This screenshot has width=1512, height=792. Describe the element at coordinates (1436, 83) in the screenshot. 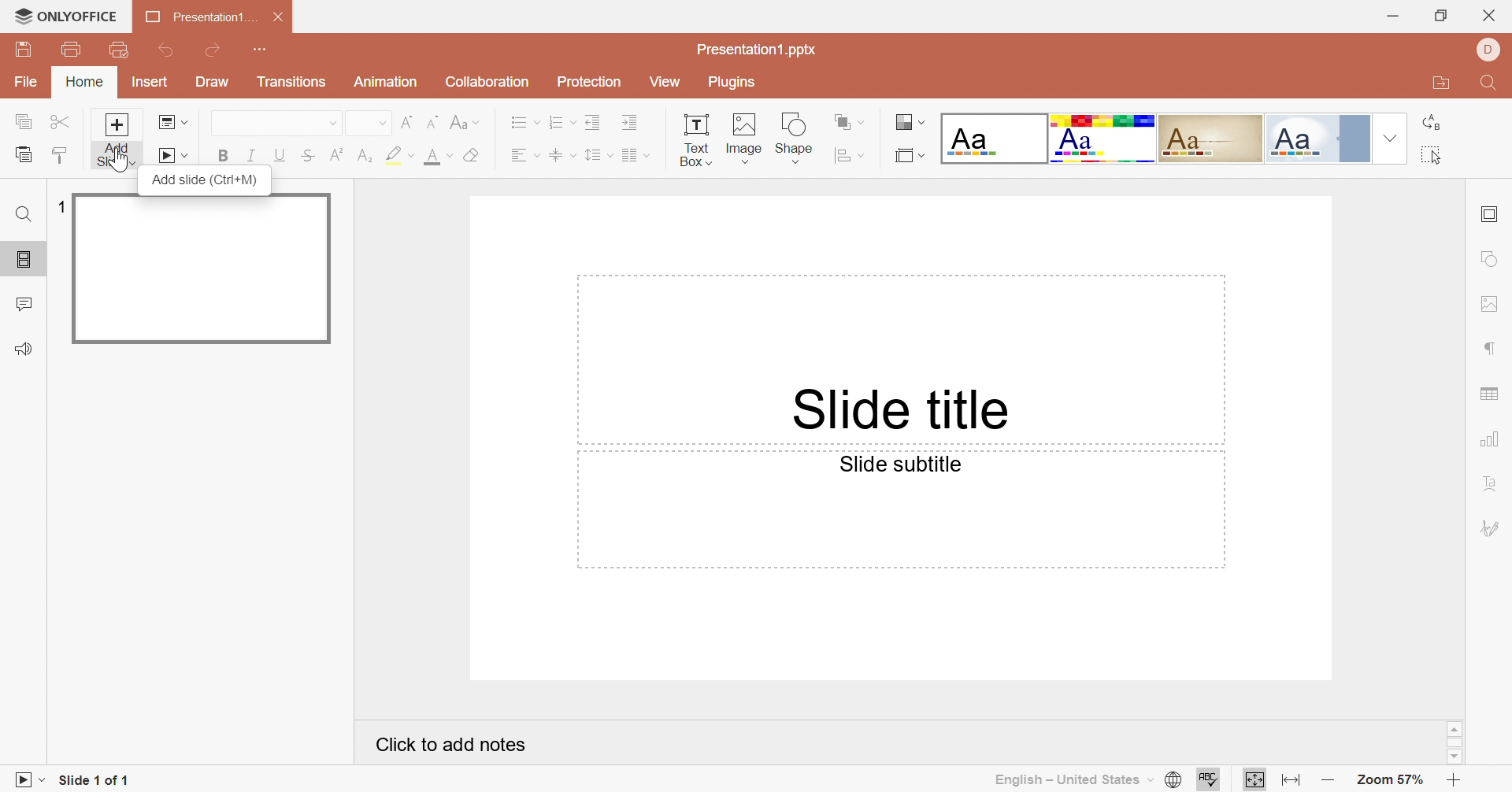

I see `Open file location` at that location.